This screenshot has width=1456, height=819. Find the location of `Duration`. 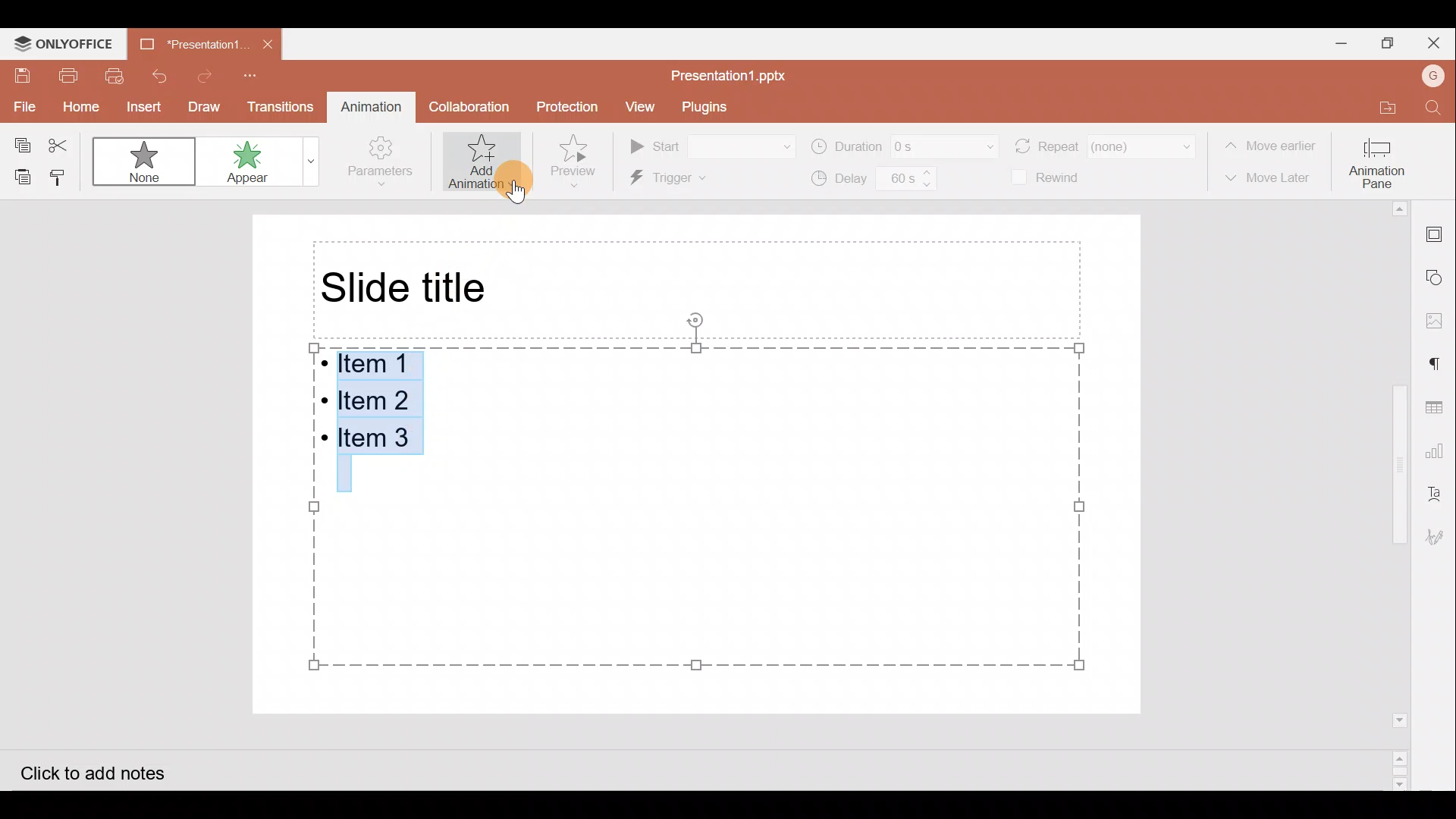

Duration is located at coordinates (904, 145).